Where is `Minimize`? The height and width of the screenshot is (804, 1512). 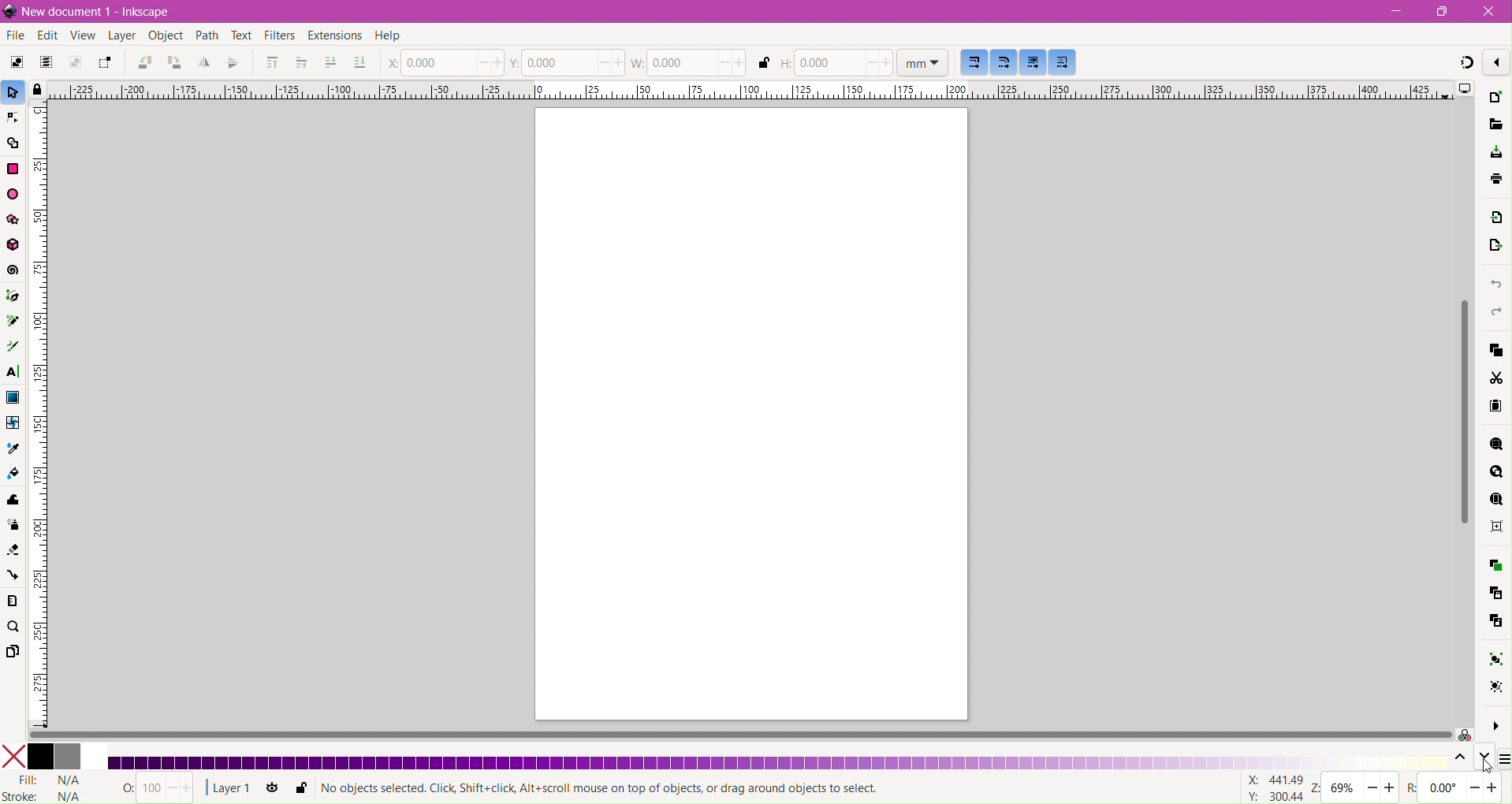 Minimize is located at coordinates (1397, 11).